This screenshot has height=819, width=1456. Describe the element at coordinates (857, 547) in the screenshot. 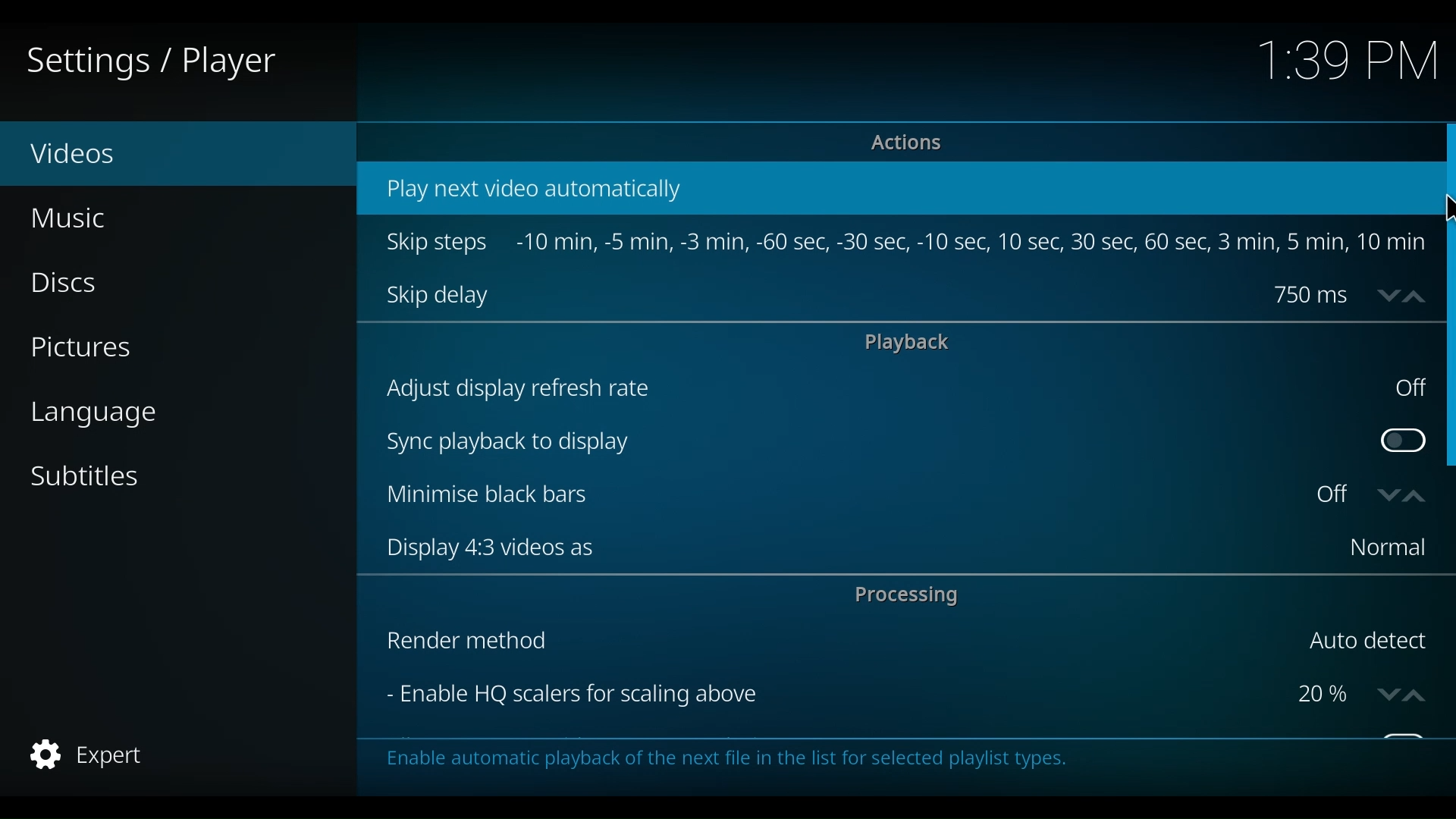

I see `Display 4:3 videos as` at that location.